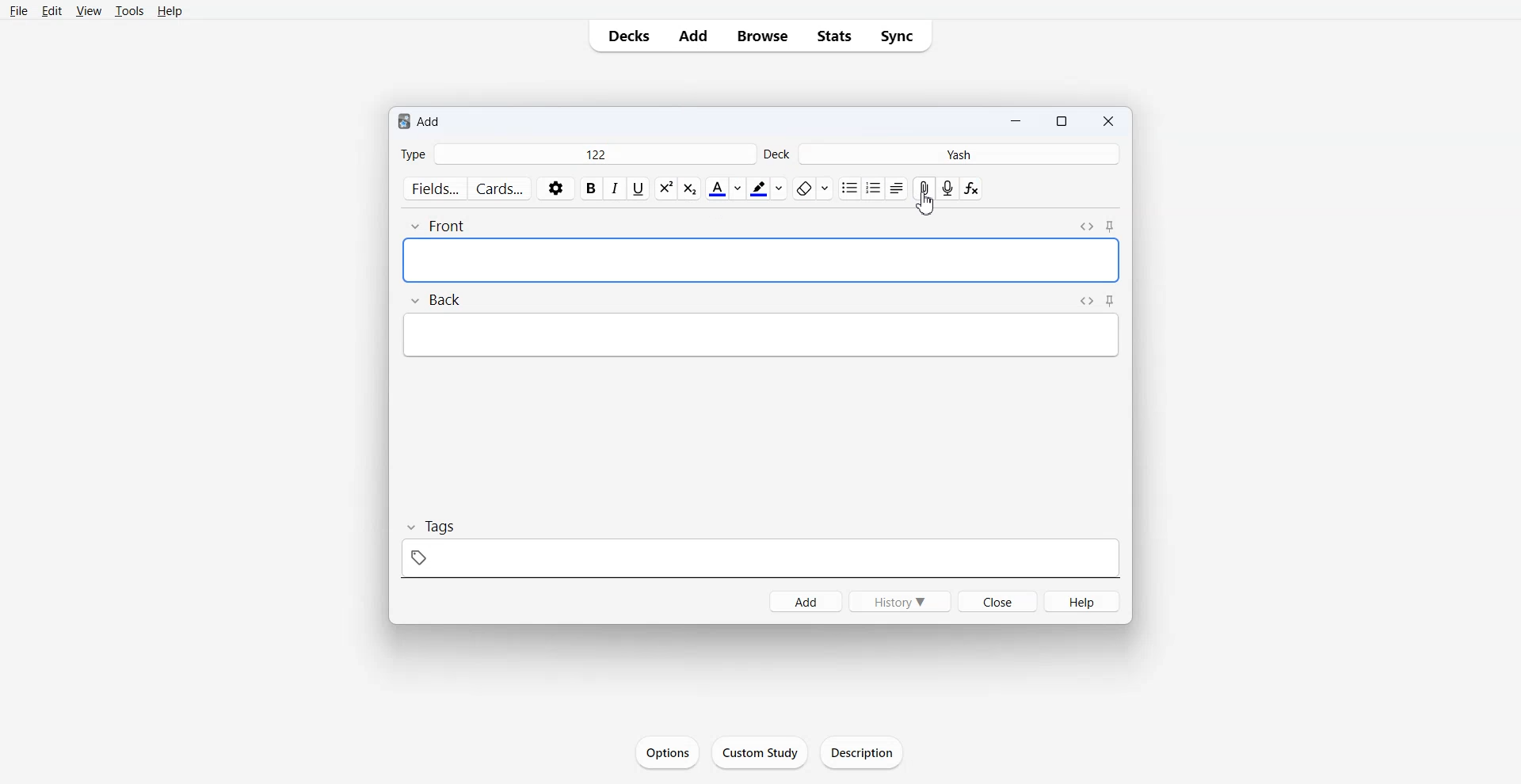  I want to click on typing space, so click(760, 261).